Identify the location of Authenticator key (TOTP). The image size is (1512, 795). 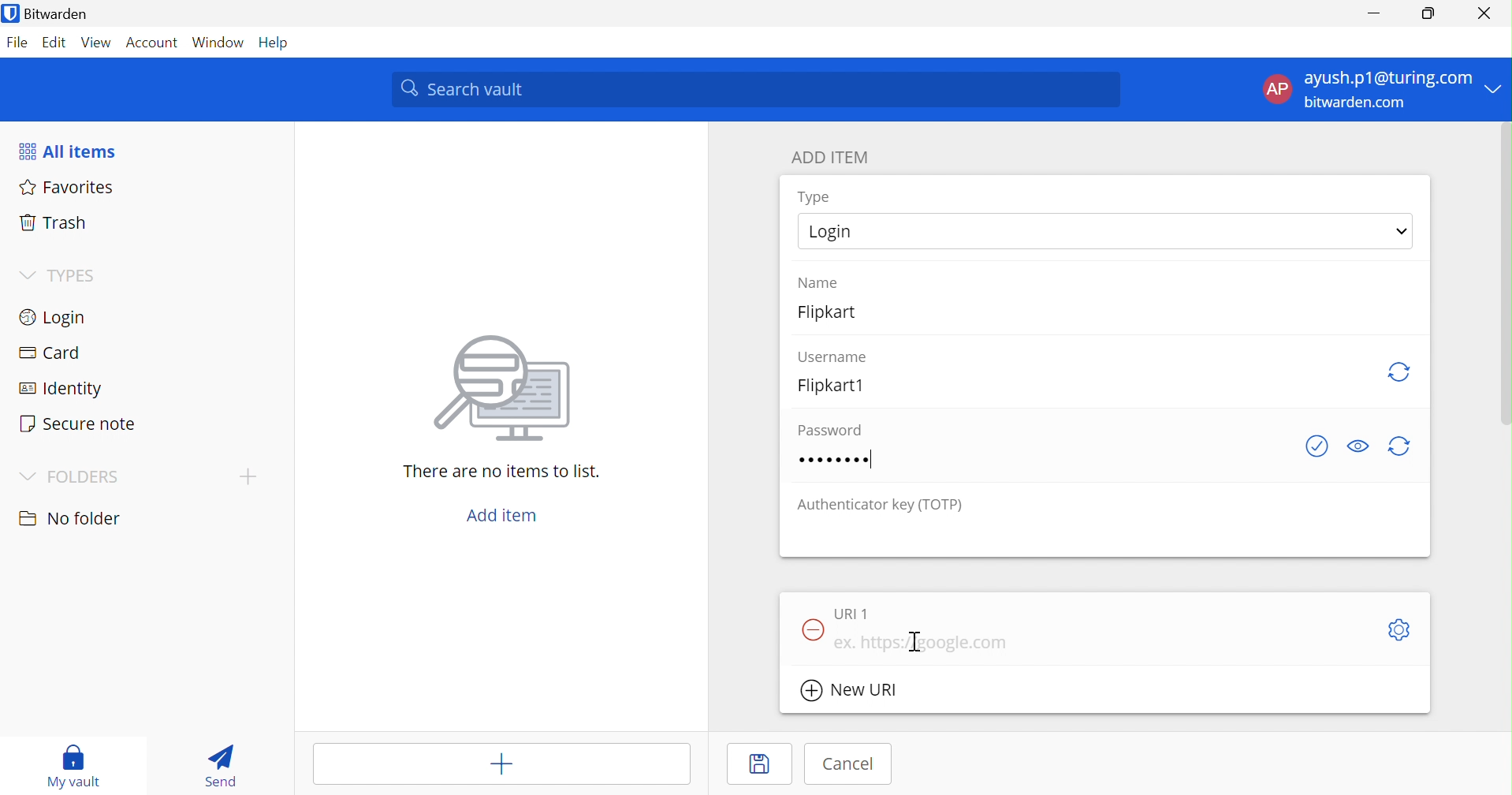
(881, 506).